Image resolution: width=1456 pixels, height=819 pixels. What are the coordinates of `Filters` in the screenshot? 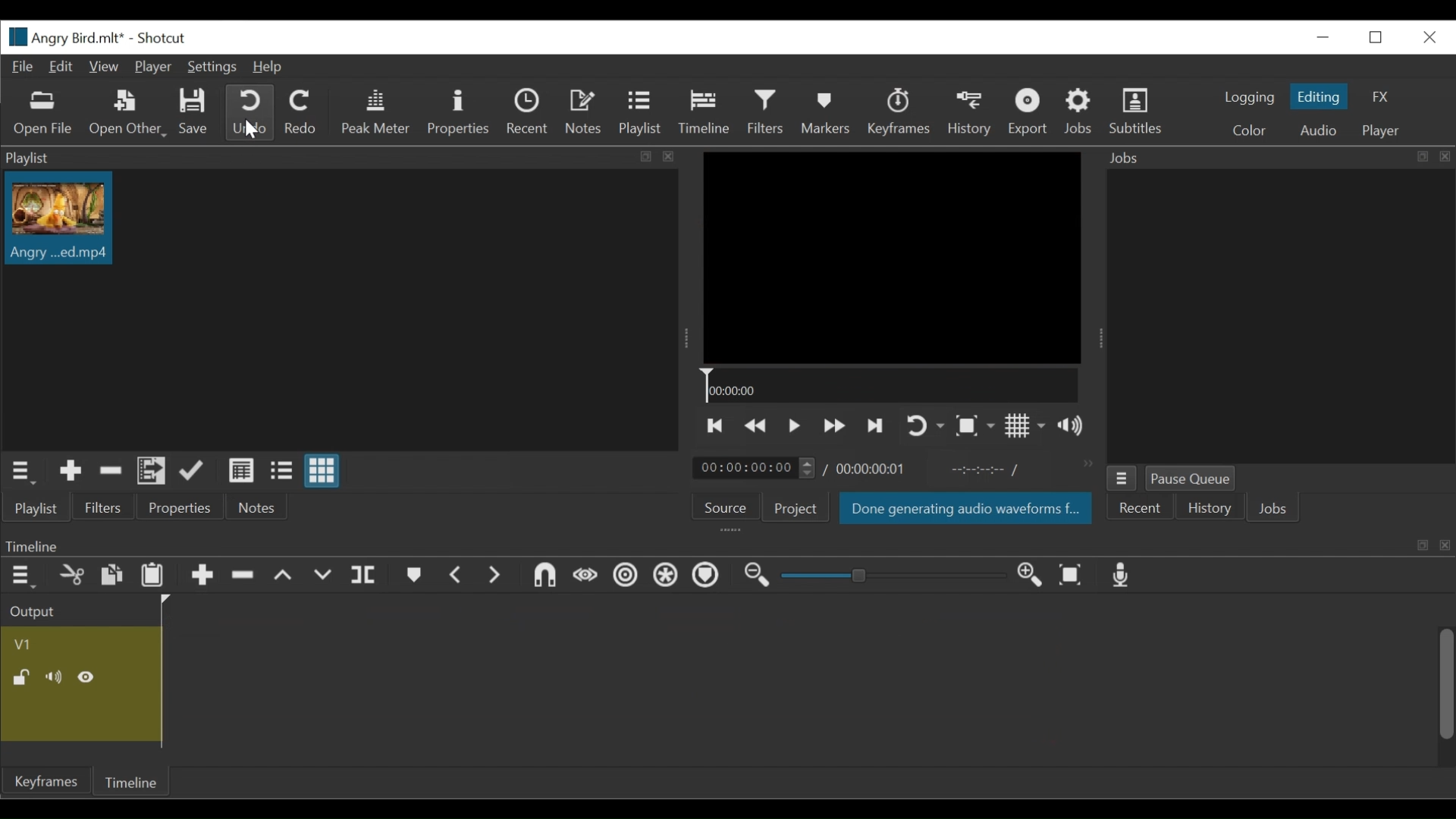 It's located at (102, 507).